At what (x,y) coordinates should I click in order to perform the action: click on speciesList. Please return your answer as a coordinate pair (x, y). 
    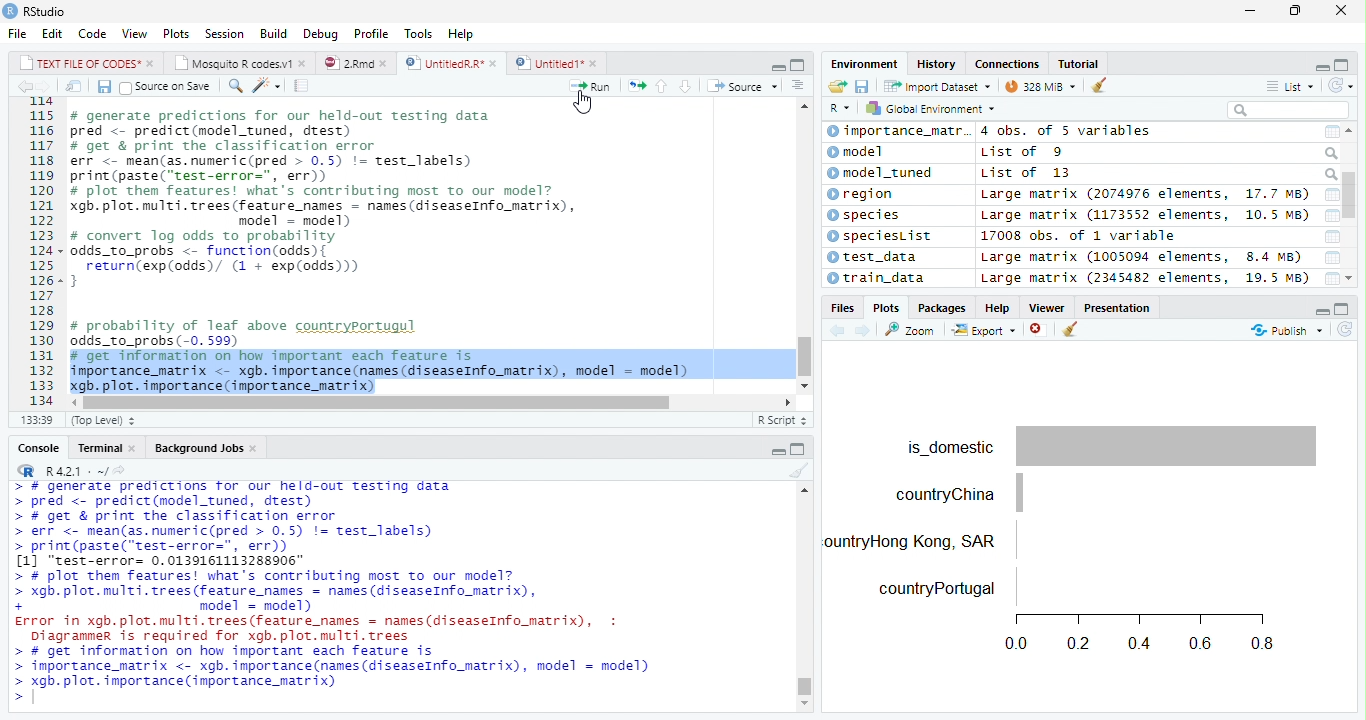
    Looking at the image, I should click on (880, 238).